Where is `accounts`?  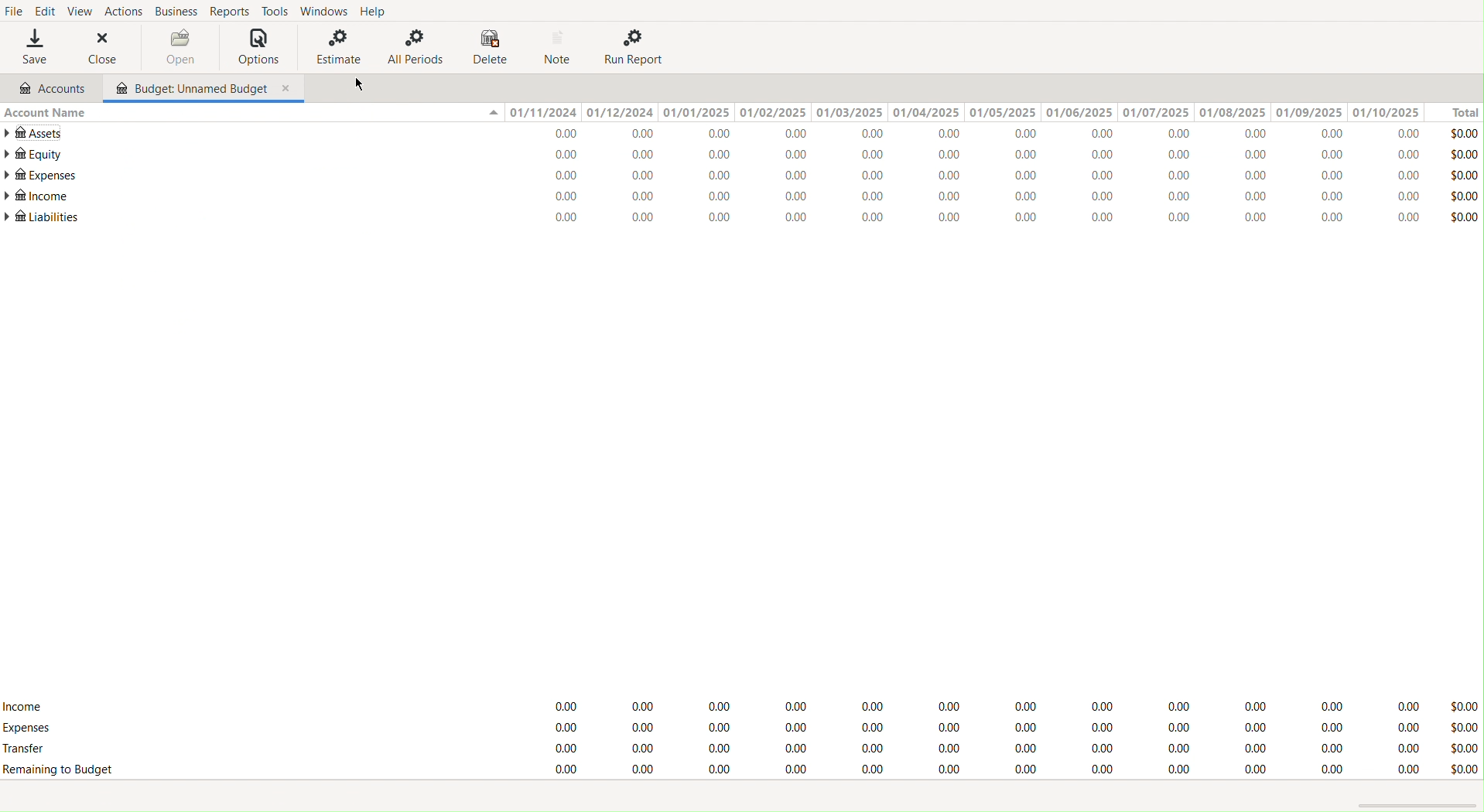
accounts is located at coordinates (53, 88).